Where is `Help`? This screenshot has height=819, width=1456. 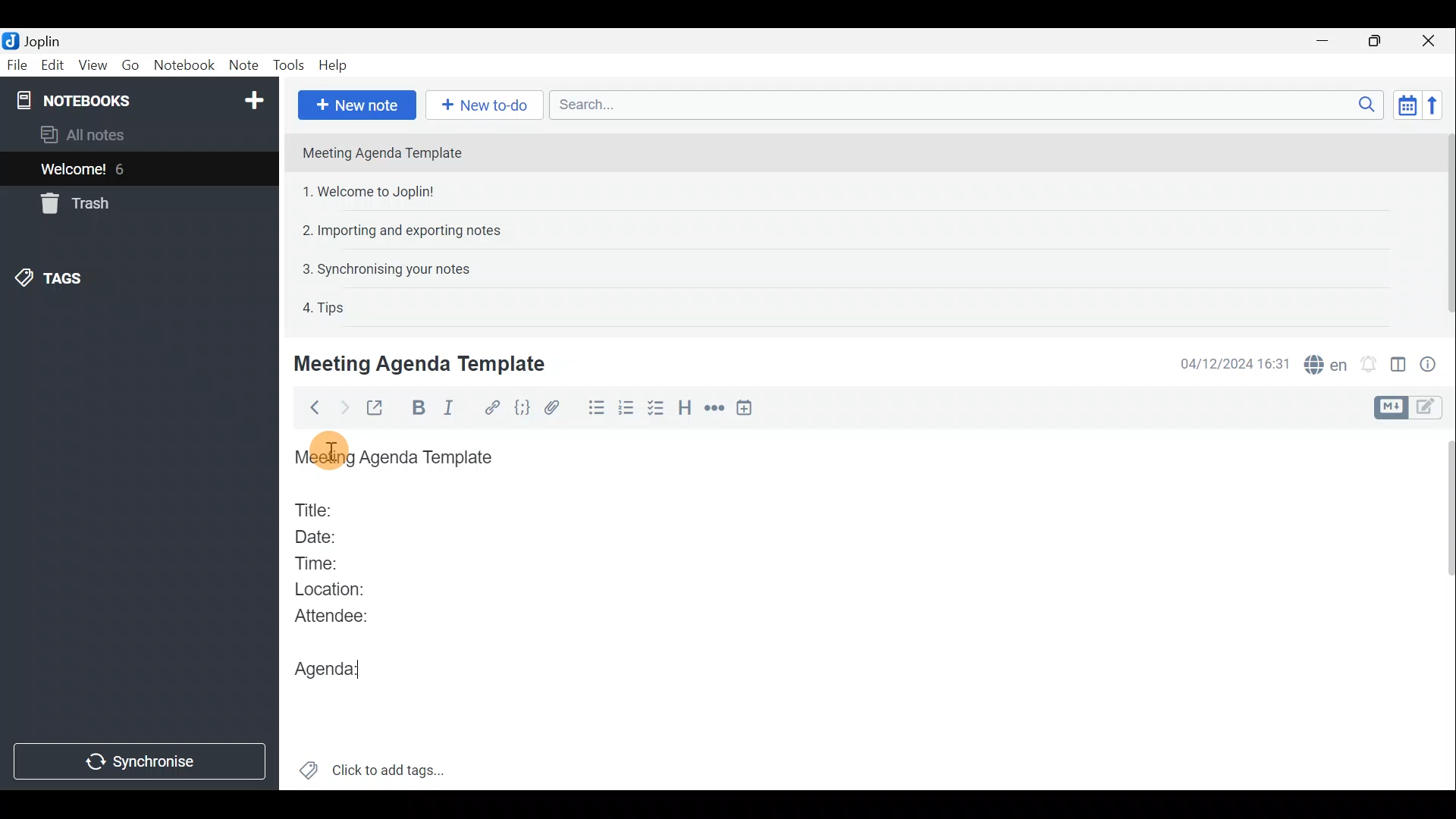 Help is located at coordinates (336, 65).